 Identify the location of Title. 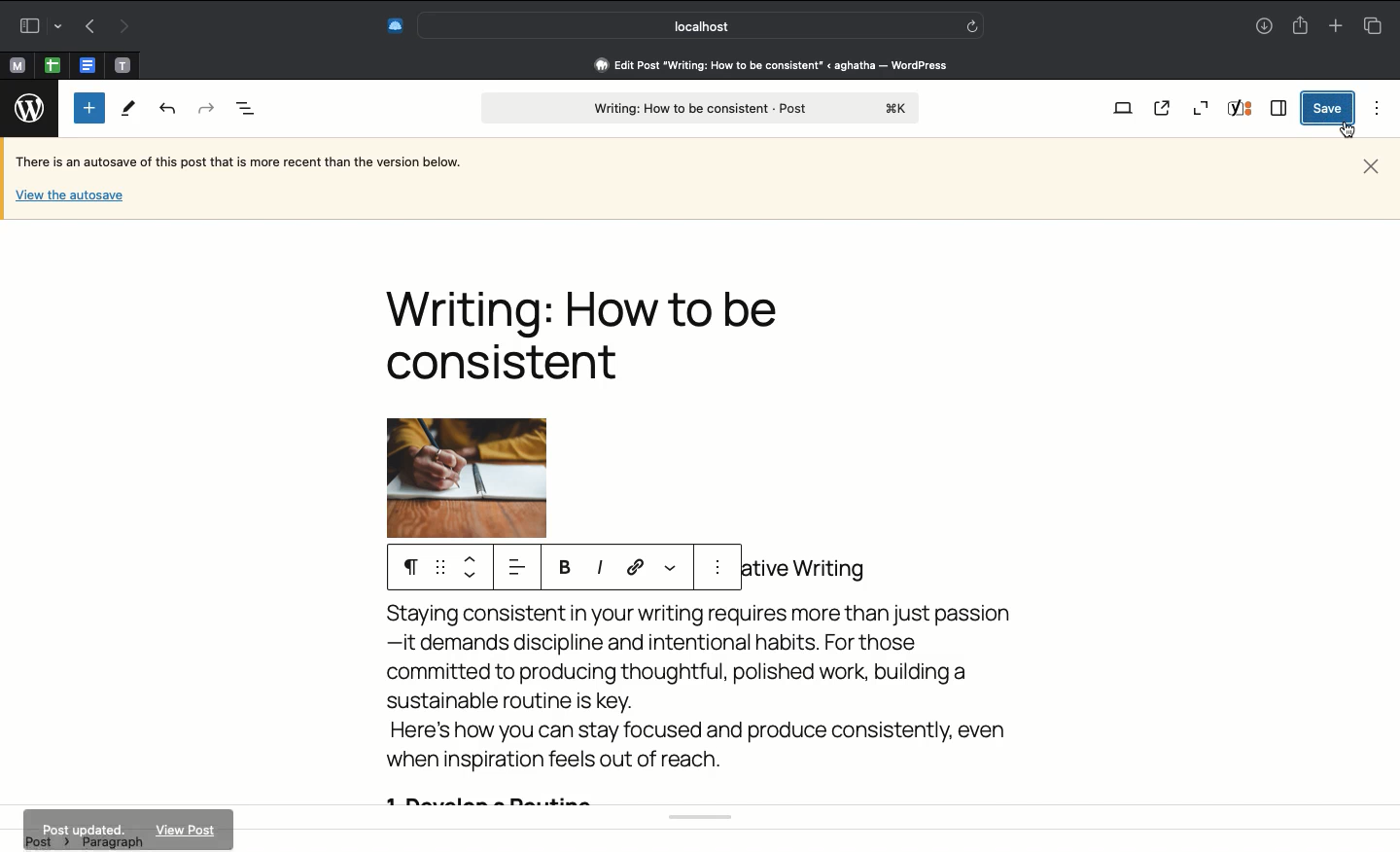
(592, 335).